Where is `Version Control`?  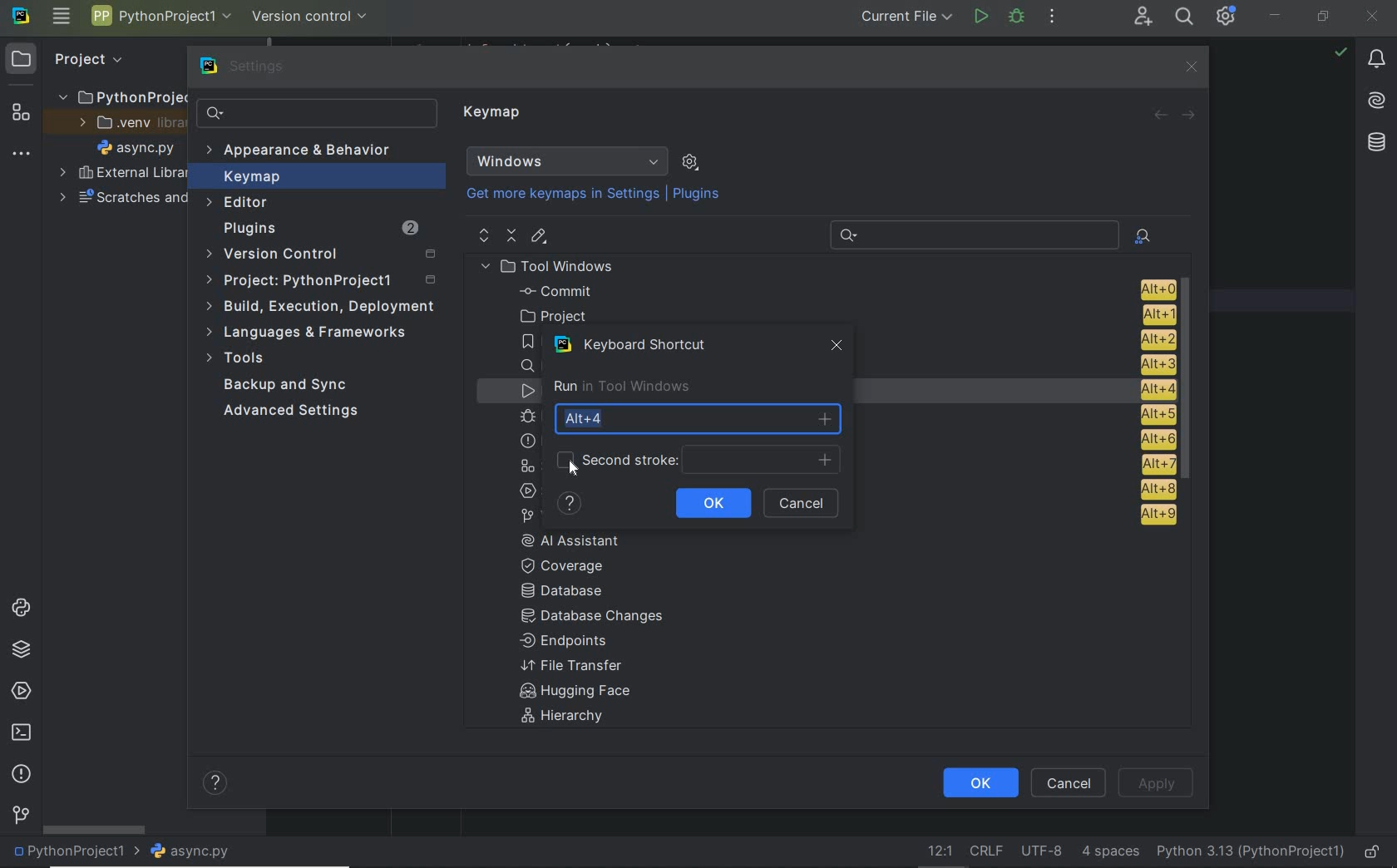 Version Control is located at coordinates (320, 255).